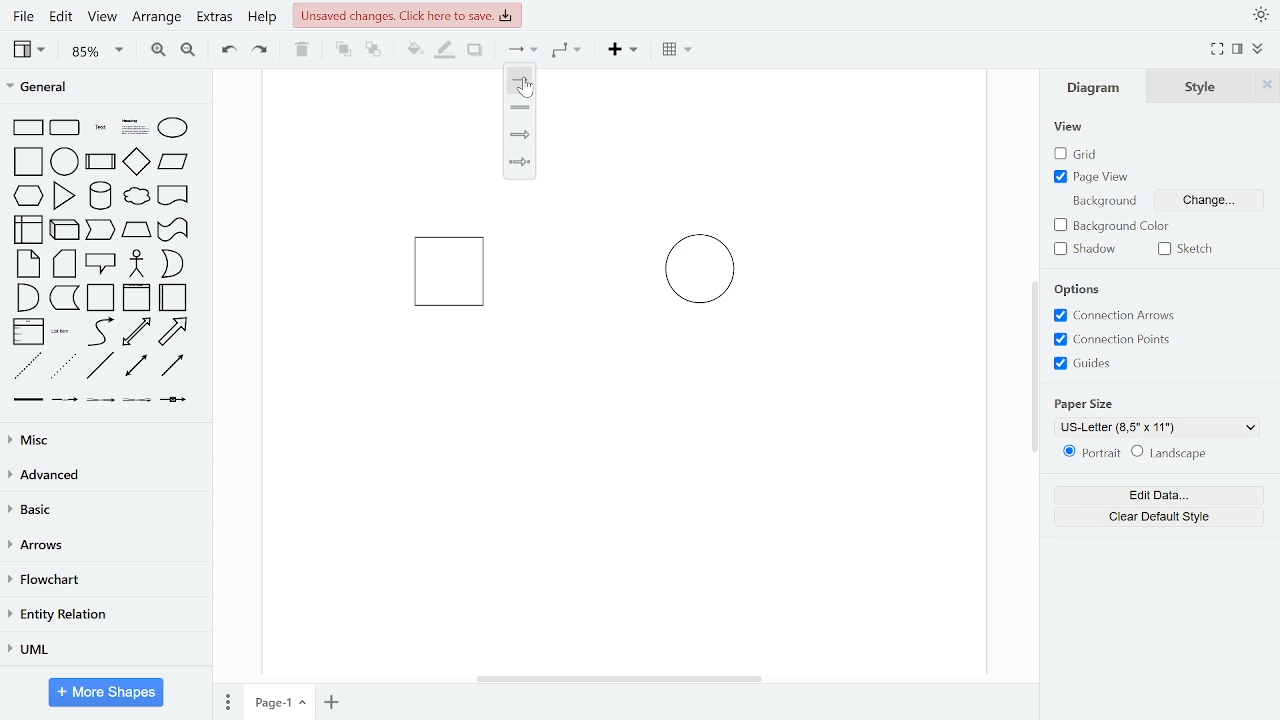 The height and width of the screenshot is (720, 1280). I want to click on zoom in, so click(156, 48).